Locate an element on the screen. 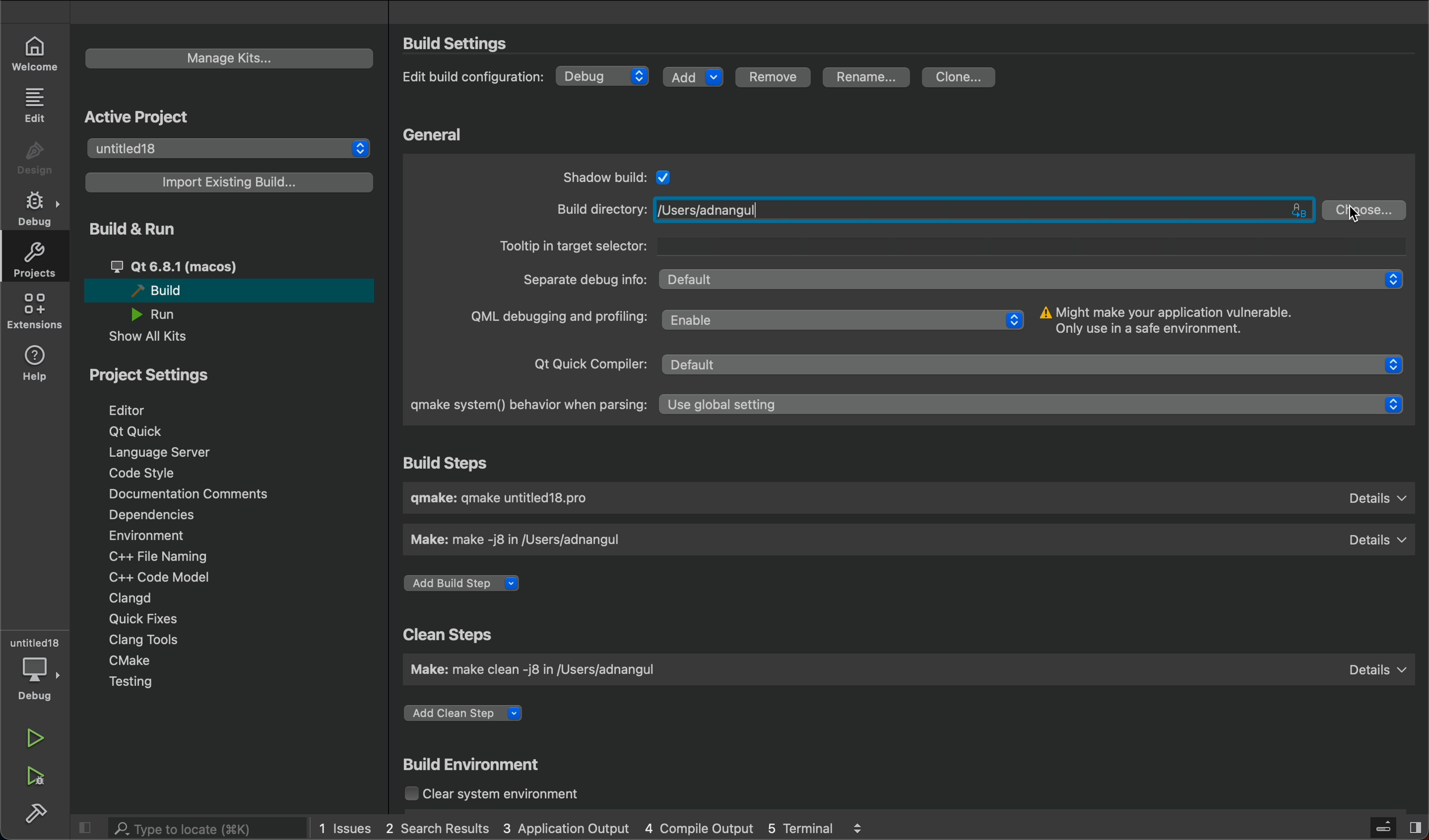 The height and width of the screenshot is (840, 1429). untitled18 is located at coordinates (231, 147).